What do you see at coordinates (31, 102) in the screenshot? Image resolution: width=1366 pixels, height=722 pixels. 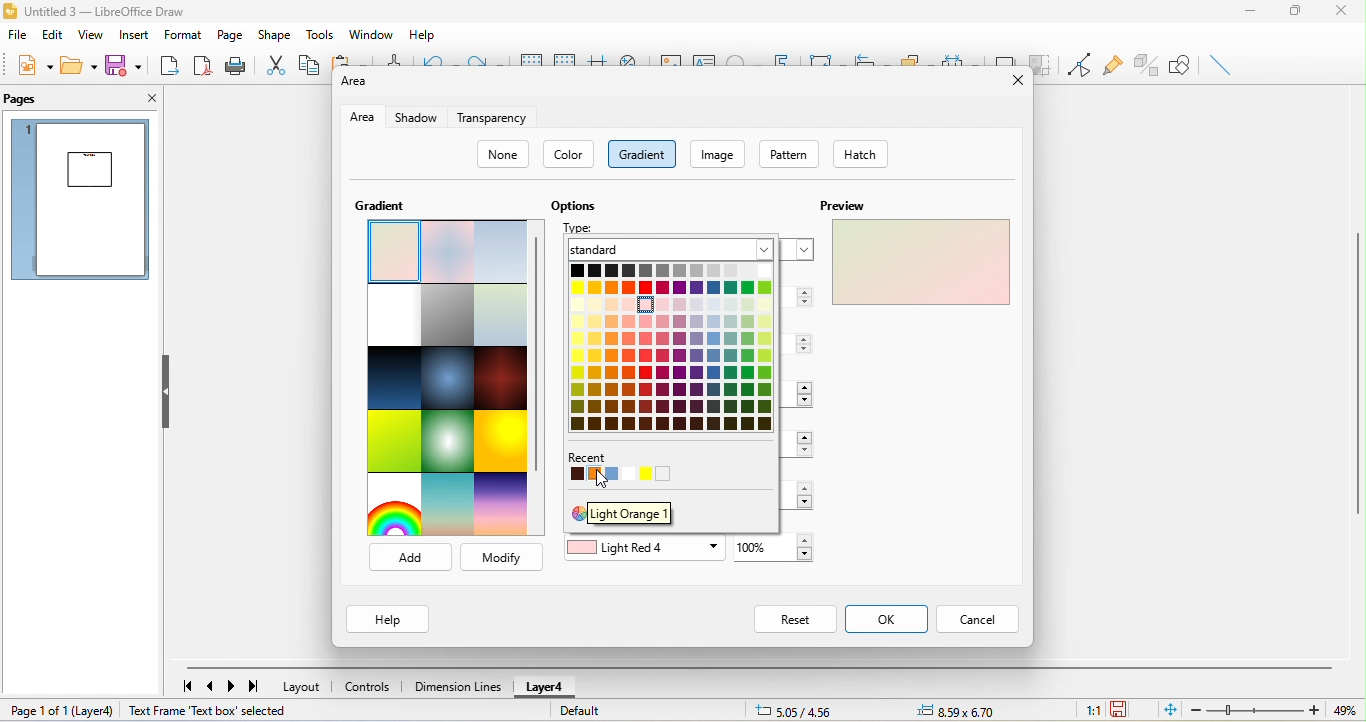 I see `pages` at bounding box center [31, 102].